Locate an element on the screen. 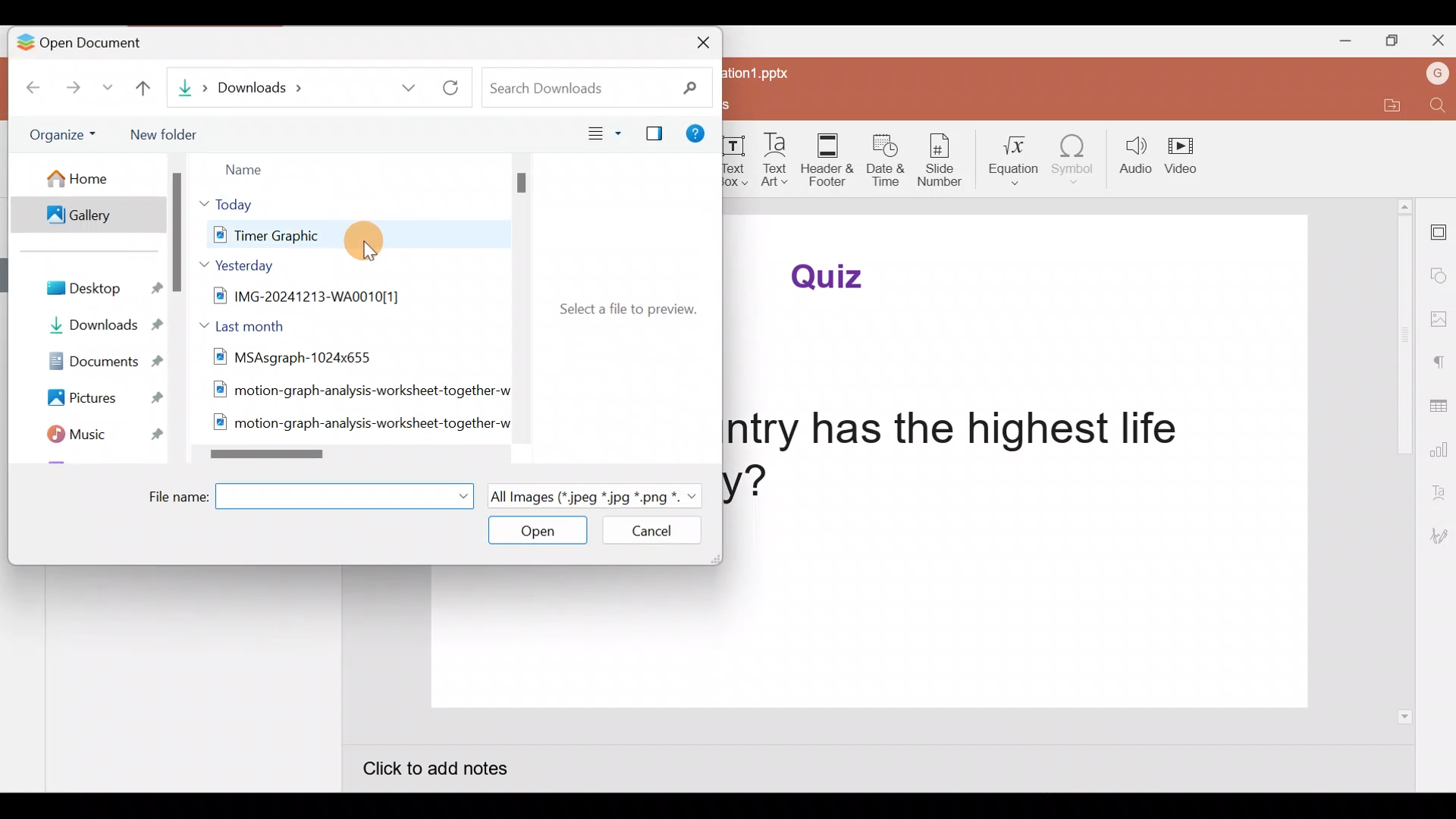 The width and height of the screenshot is (1456, 819). Cancel is located at coordinates (654, 532).